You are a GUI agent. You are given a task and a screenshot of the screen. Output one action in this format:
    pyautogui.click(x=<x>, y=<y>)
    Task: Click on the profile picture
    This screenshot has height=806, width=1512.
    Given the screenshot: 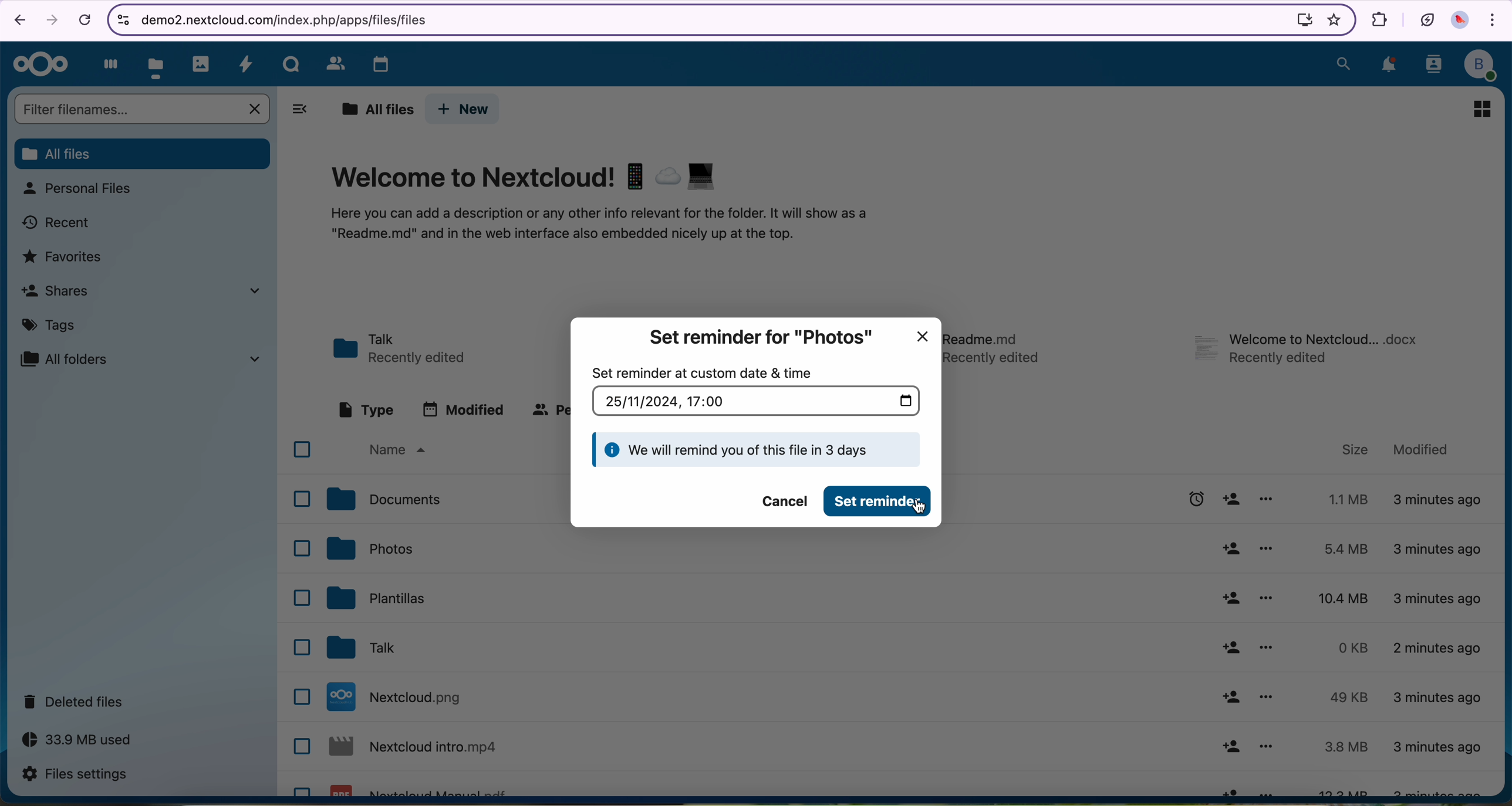 What is the action you would take?
    pyautogui.click(x=1462, y=22)
    